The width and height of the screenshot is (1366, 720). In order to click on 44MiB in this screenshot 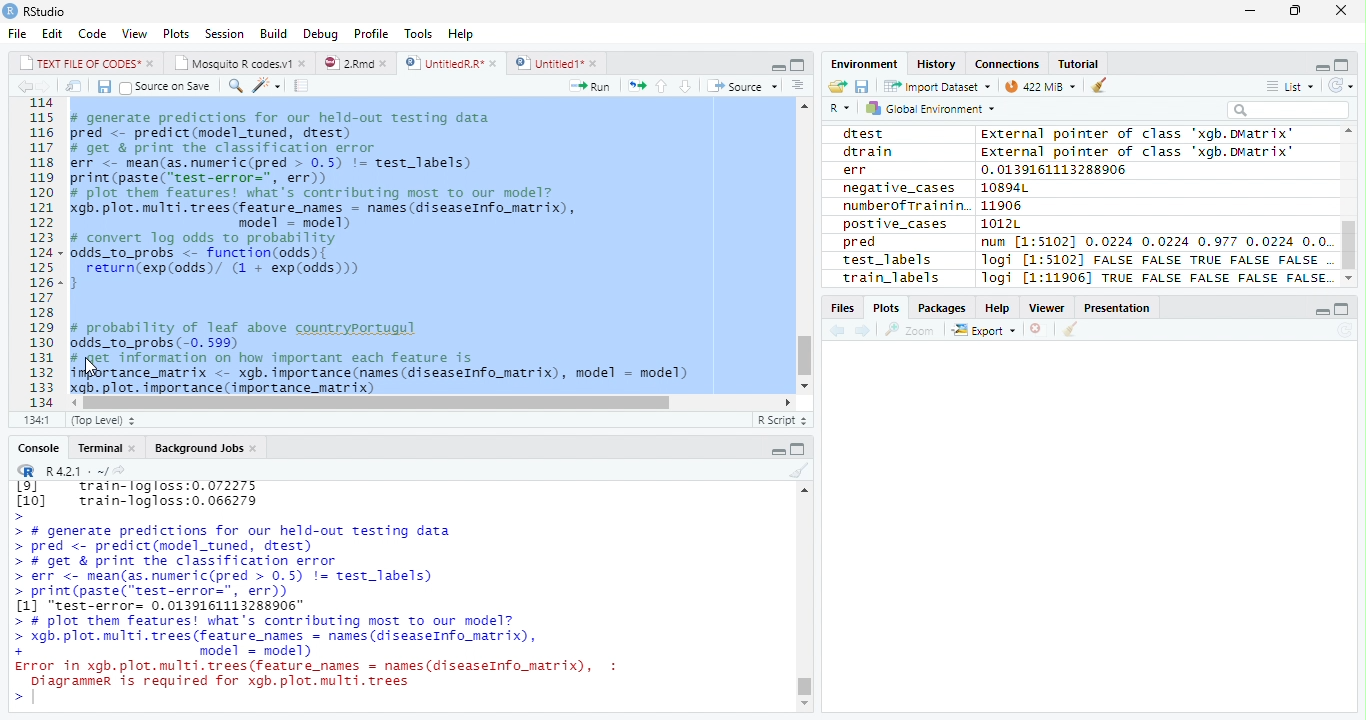, I will do `click(1037, 84)`.